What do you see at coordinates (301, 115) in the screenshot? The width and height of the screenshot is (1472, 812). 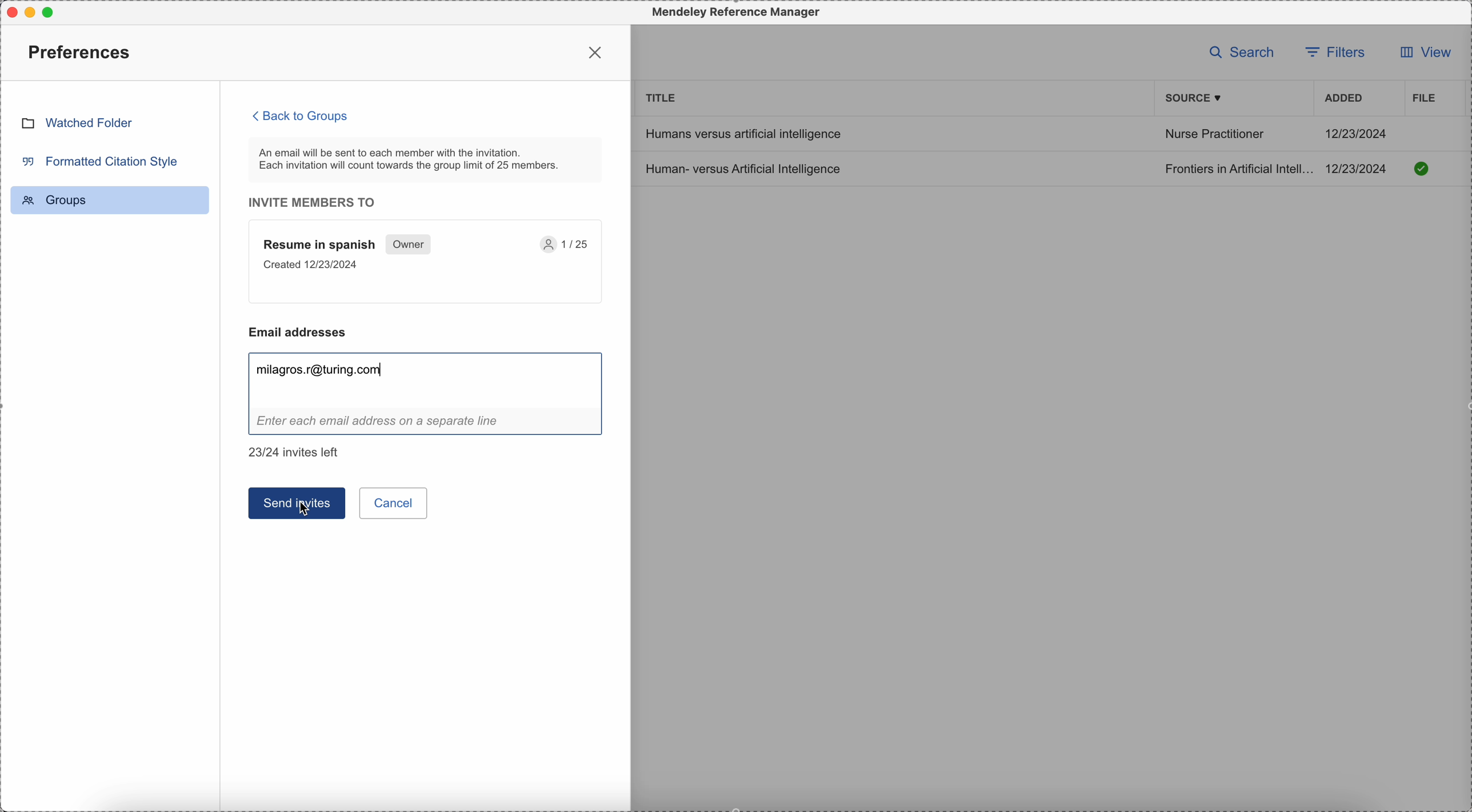 I see `back to groups` at bounding box center [301, 115].